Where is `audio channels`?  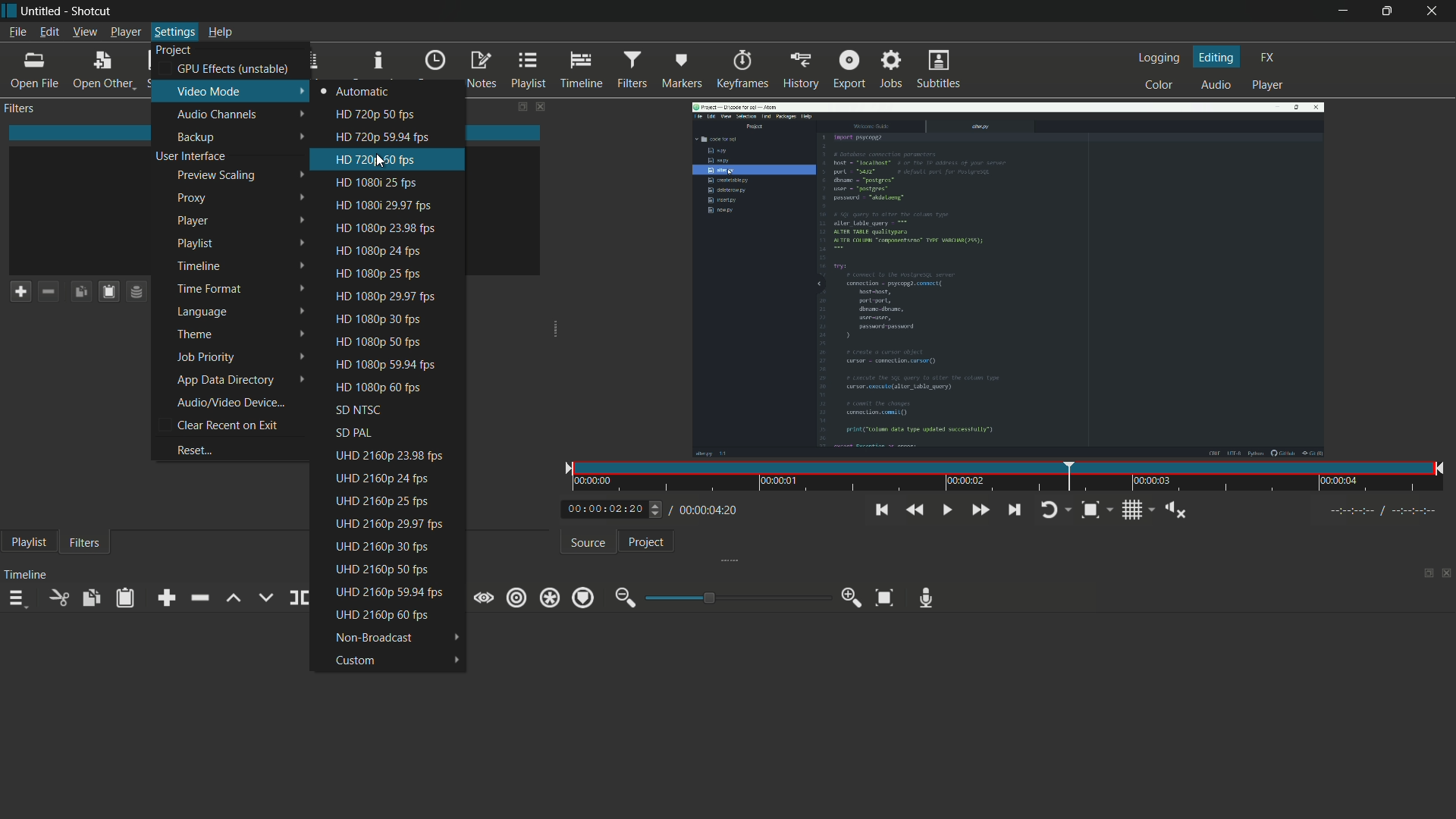
audio channels is located at coordinates (231, 115).